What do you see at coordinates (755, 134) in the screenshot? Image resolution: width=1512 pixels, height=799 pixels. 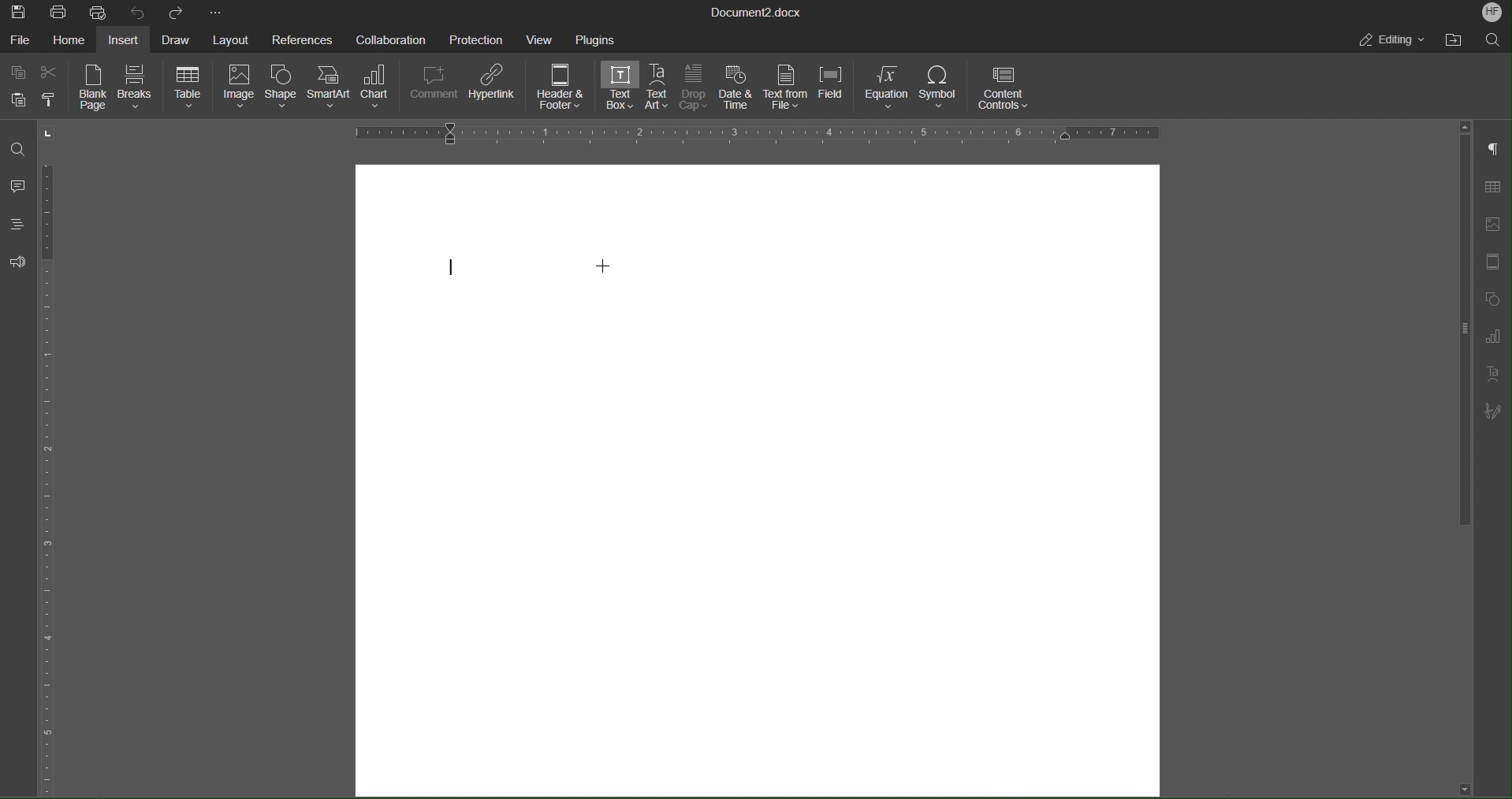 I see `Horizontal Ruler` at bounding box center [755, 134].